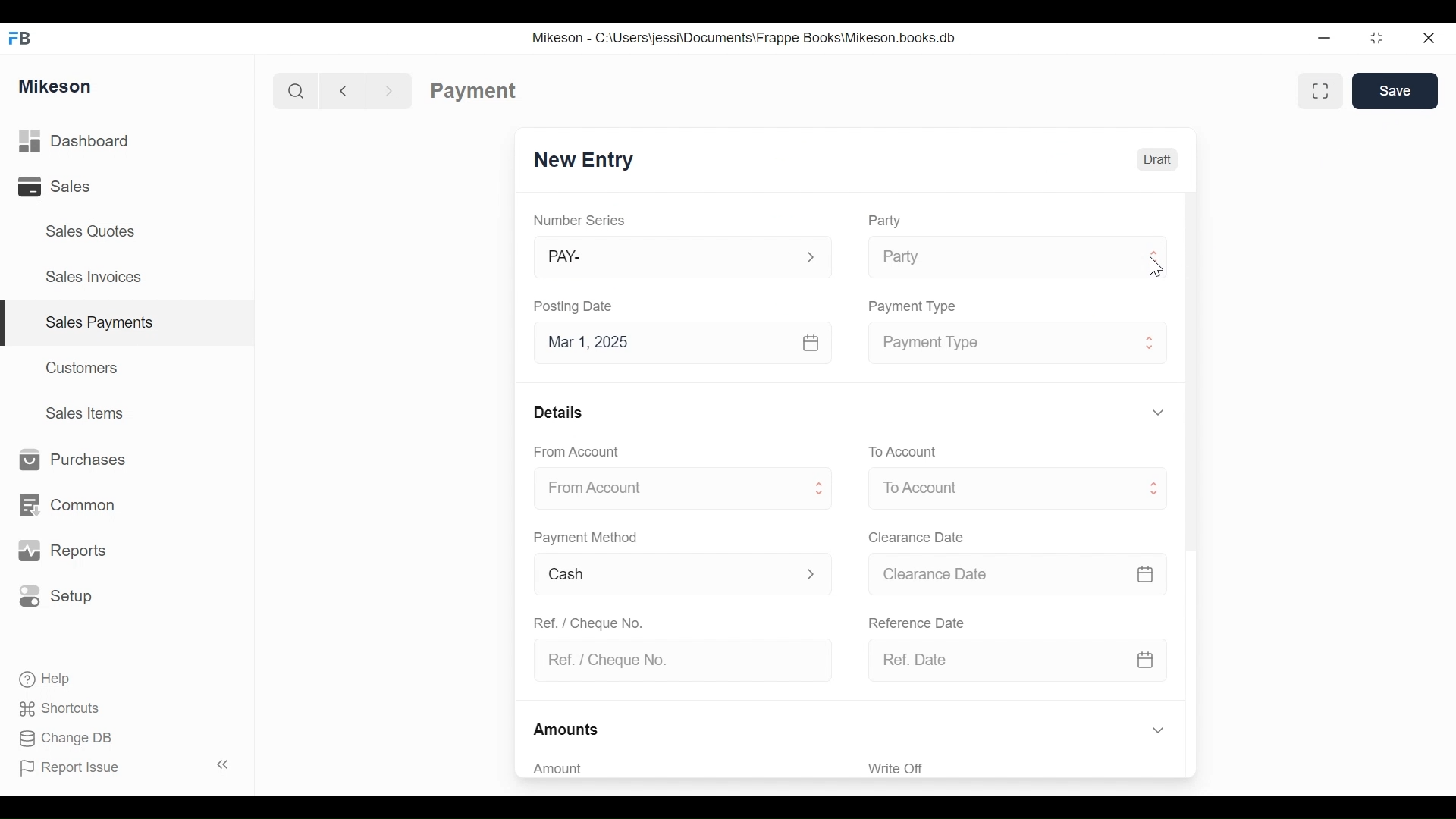  What do you see at coordinates (582, 221) in the screenshot?
I see `Number Series` at bounding box center [582, 221].